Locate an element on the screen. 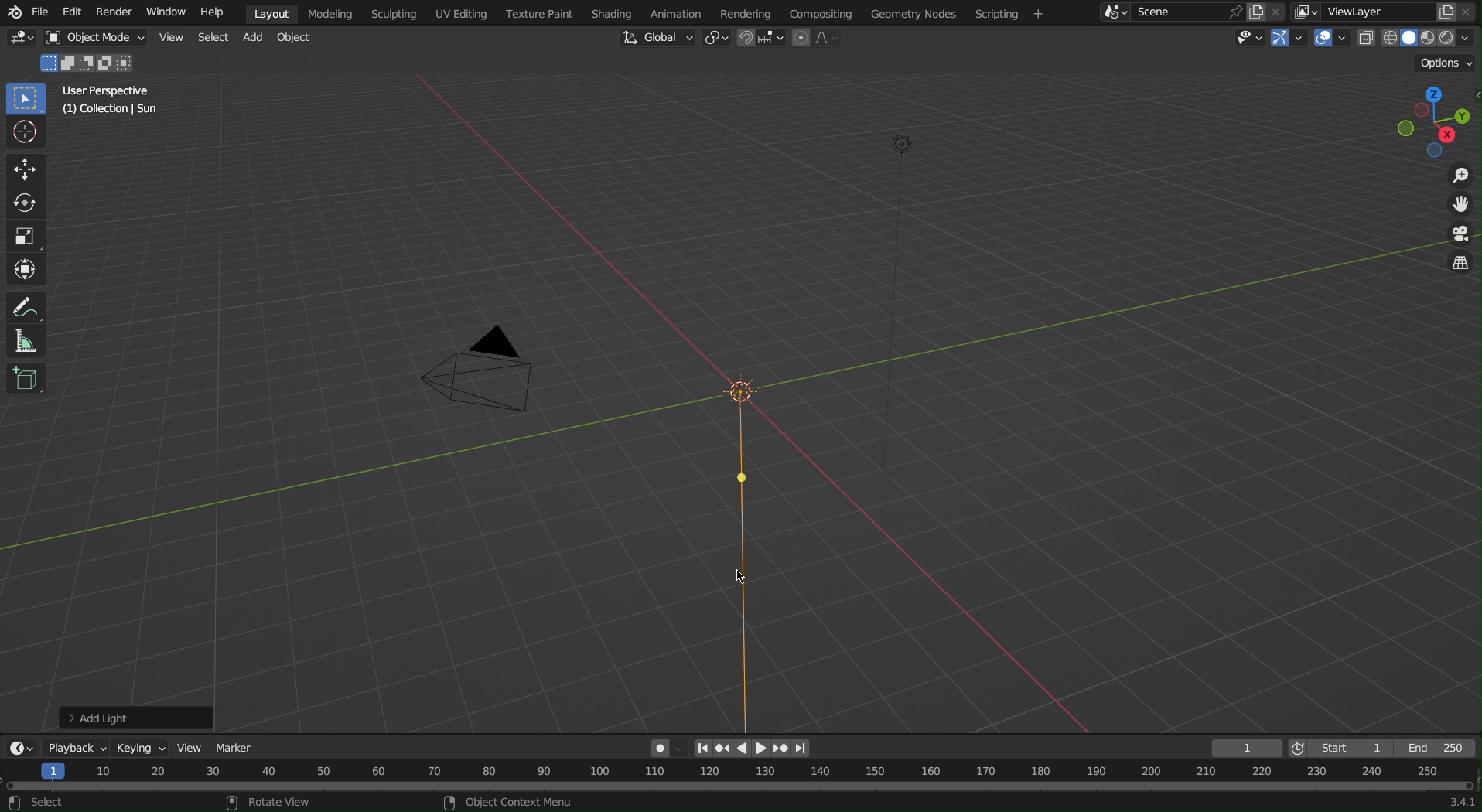 The height and width of the screenshot is (812, 1482). Annotate is located at coordinates (29, 305).